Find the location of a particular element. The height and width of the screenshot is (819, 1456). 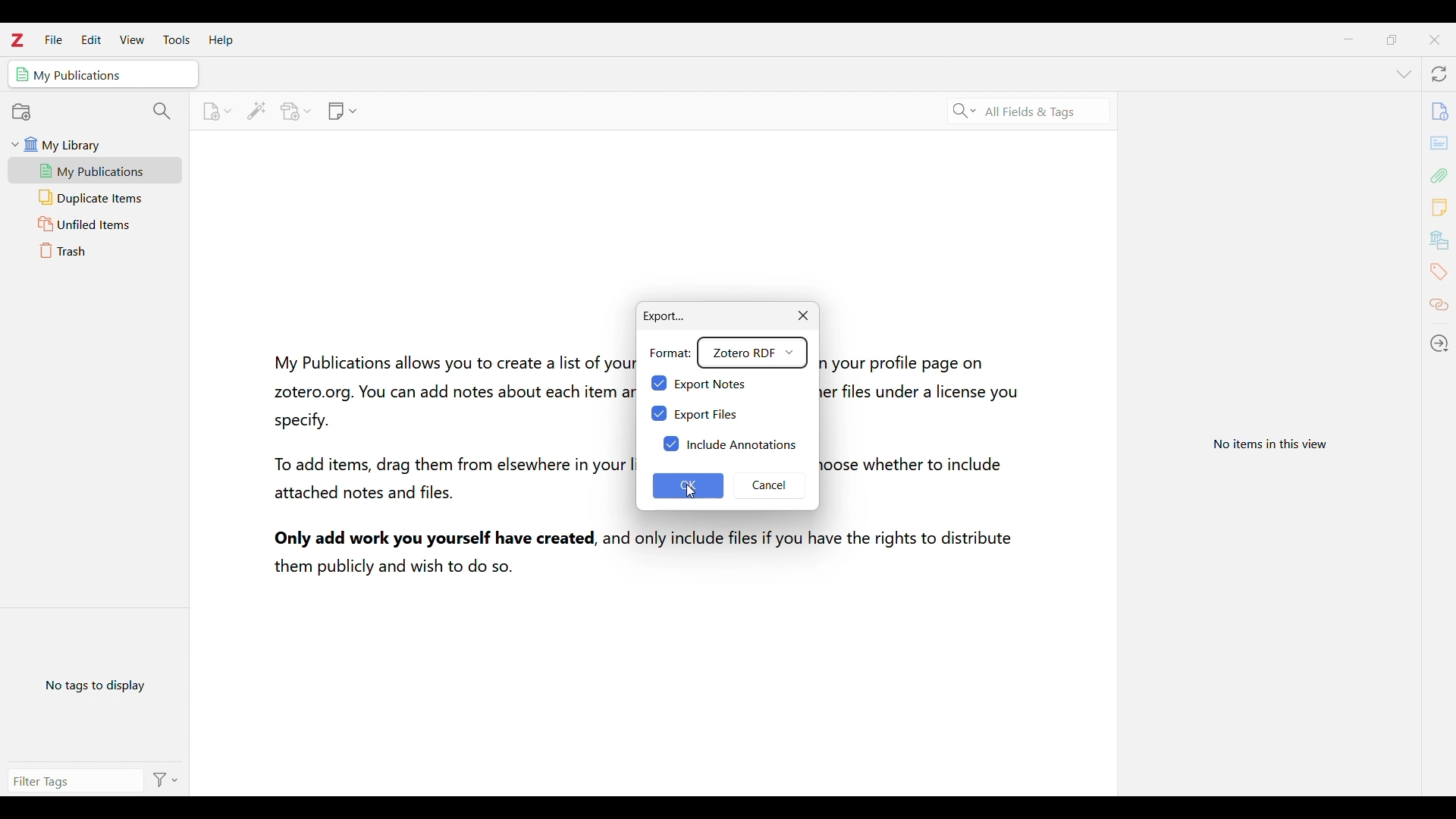

My library is located at coordinates (100, 144).